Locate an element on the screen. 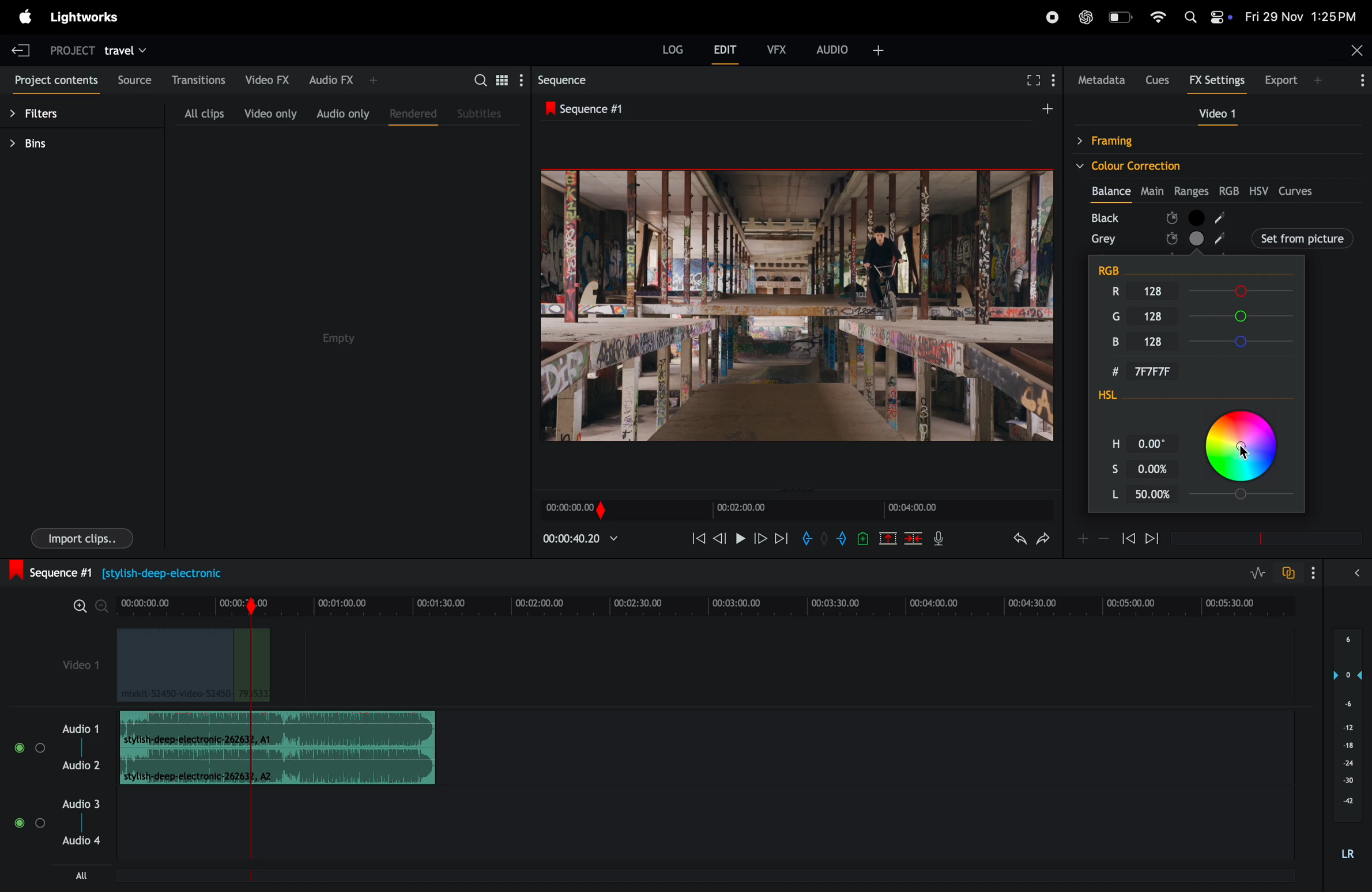  apple menu is located at coordinates (24, 18).